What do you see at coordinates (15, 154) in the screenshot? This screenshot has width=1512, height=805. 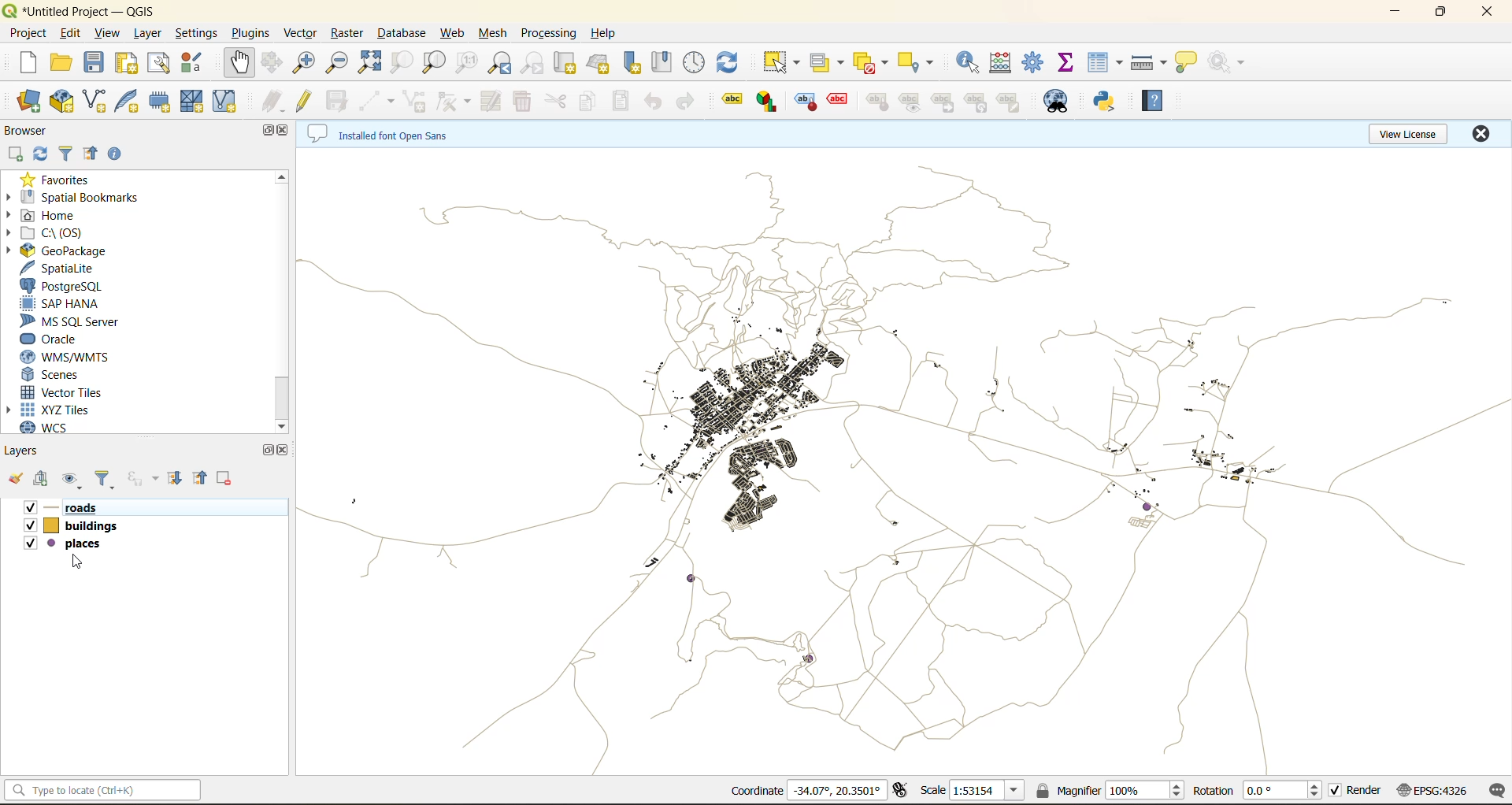 I see `add` at bounding box center [15, 154].